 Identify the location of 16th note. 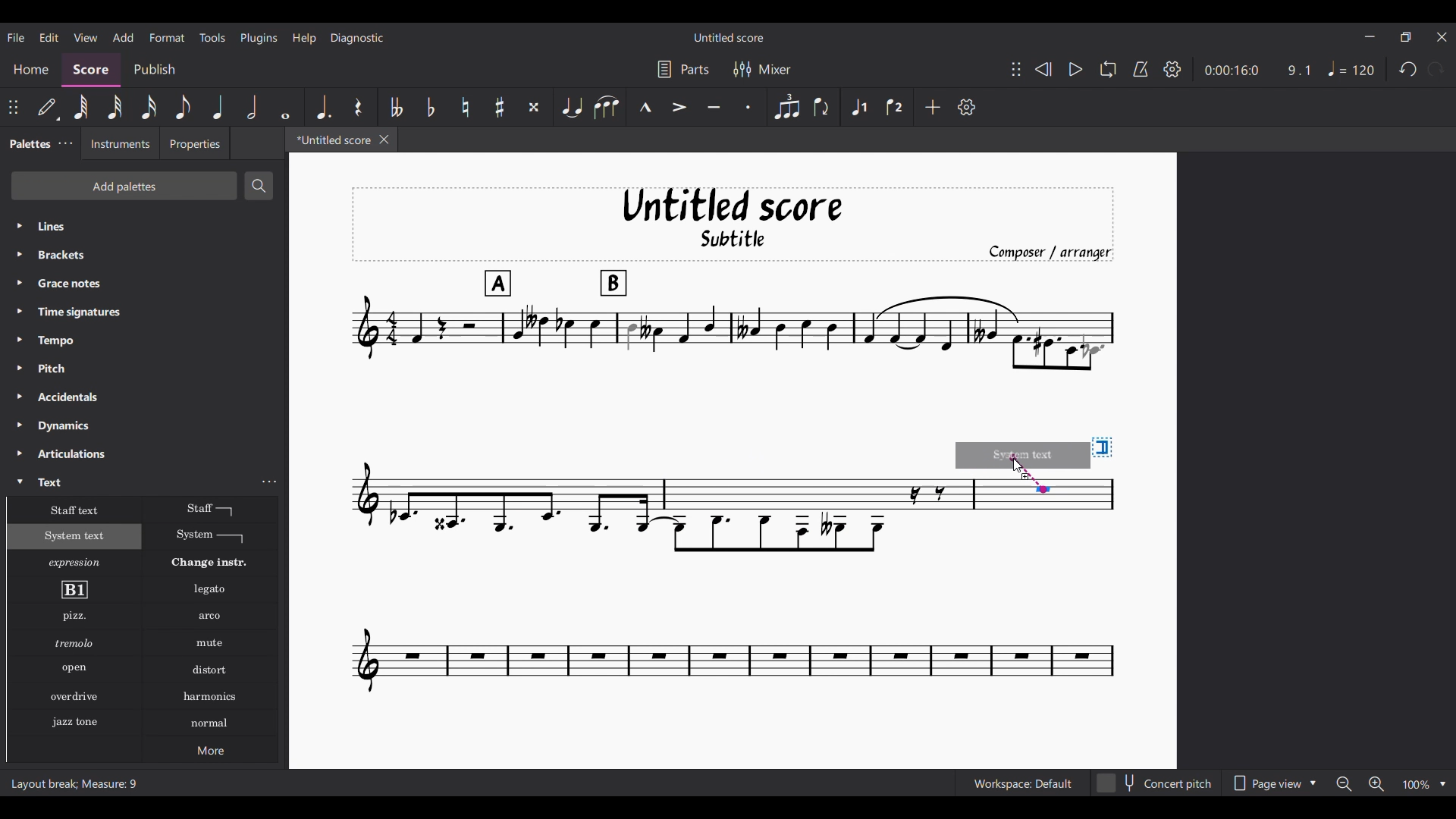
(149, 107).